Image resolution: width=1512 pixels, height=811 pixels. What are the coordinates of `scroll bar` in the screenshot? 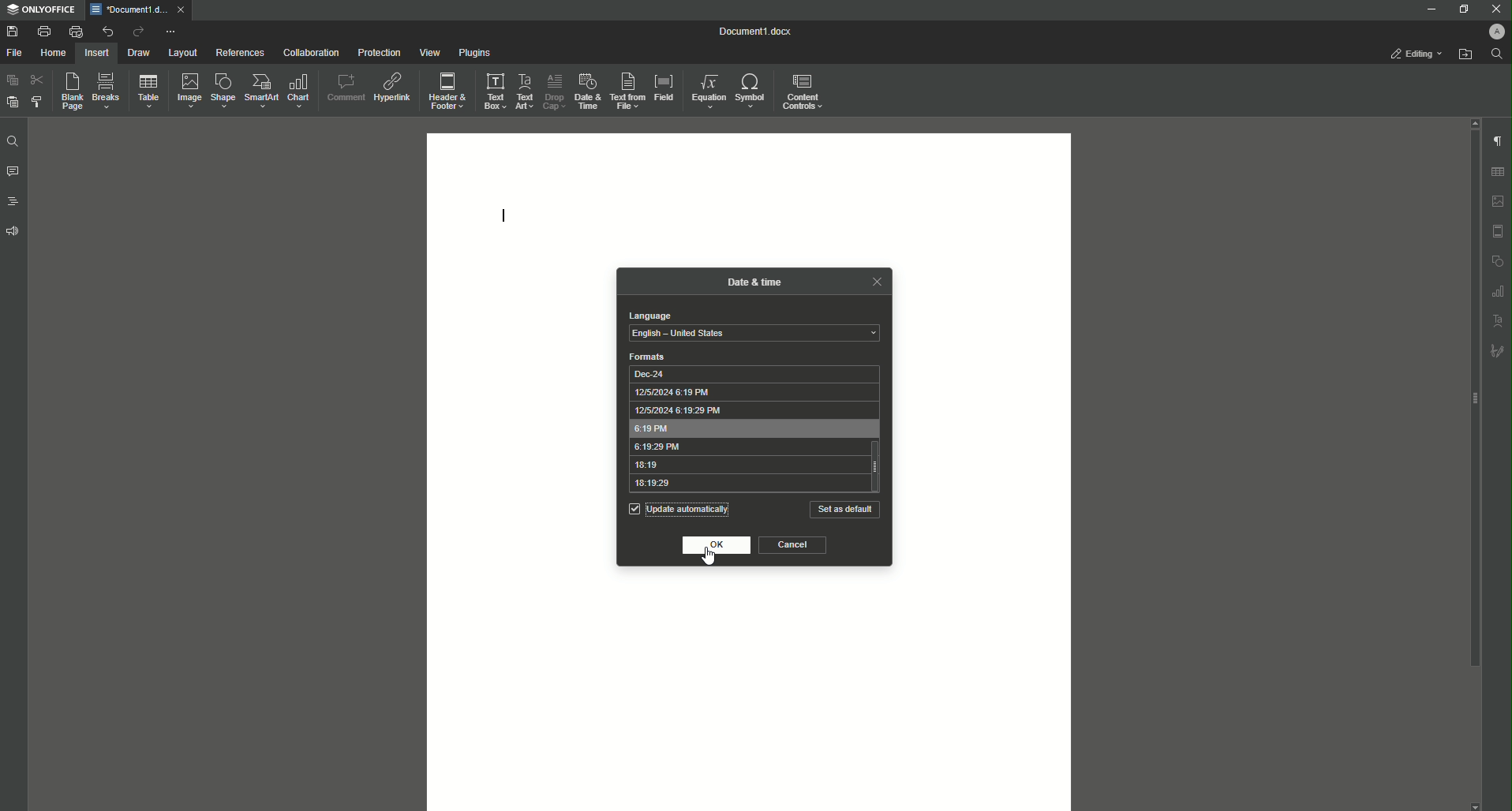 It's located at (1472, 399).